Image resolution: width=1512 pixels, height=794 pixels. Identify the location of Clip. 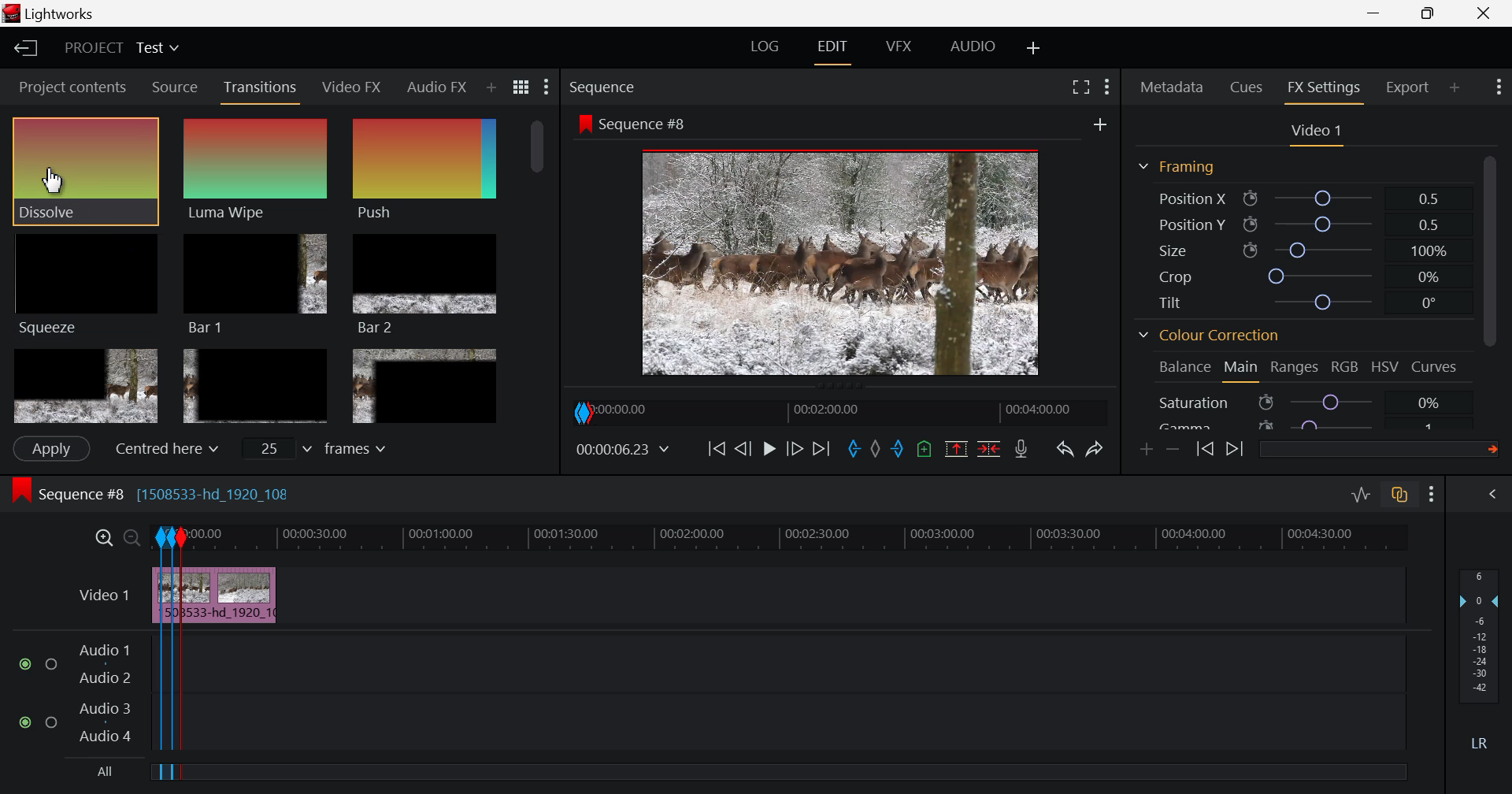
(246, 596).